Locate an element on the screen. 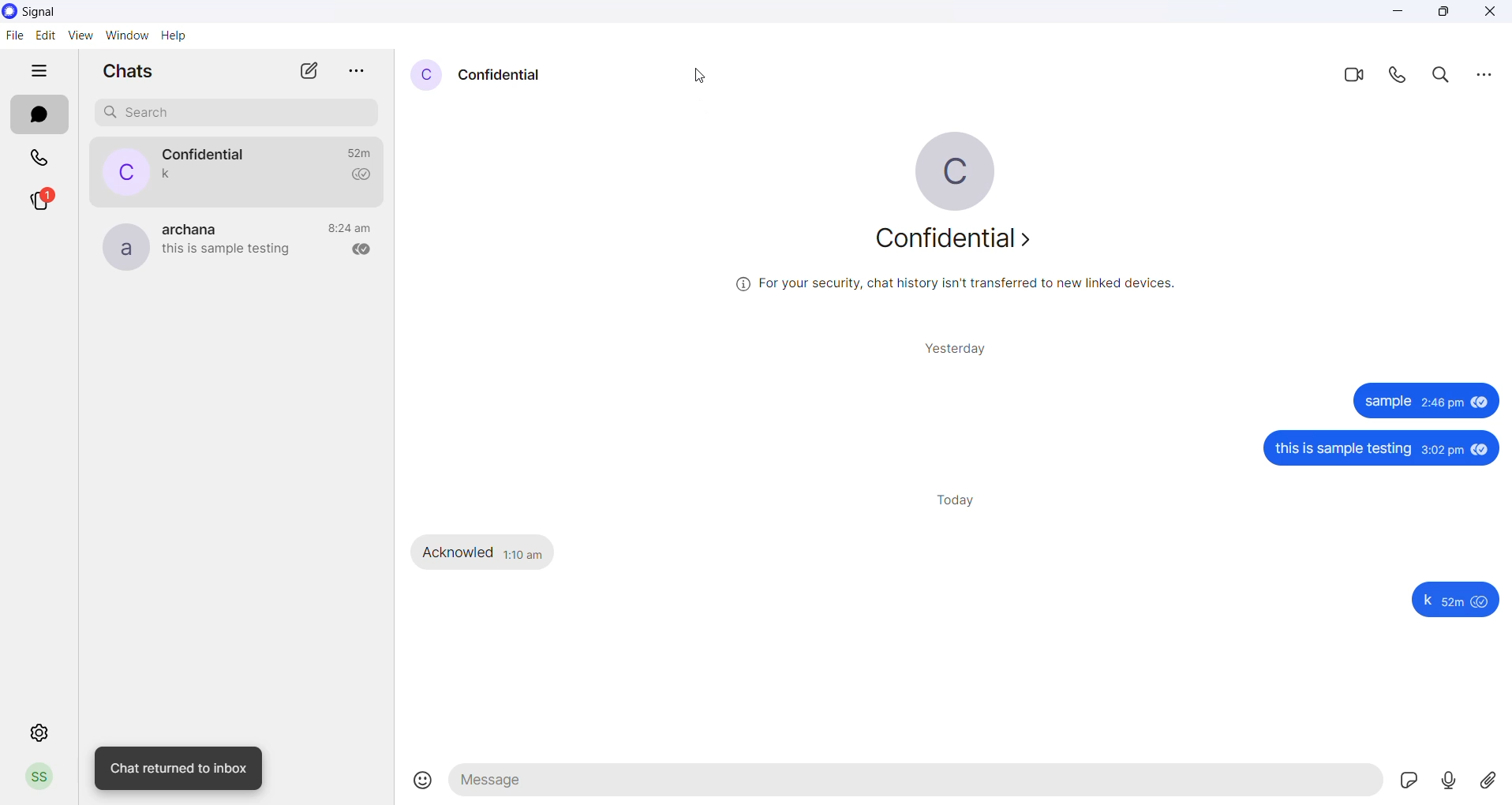 Image resolution: width=1512 pixels, height=805 pixels. calls is located at coordinates (37, 159).